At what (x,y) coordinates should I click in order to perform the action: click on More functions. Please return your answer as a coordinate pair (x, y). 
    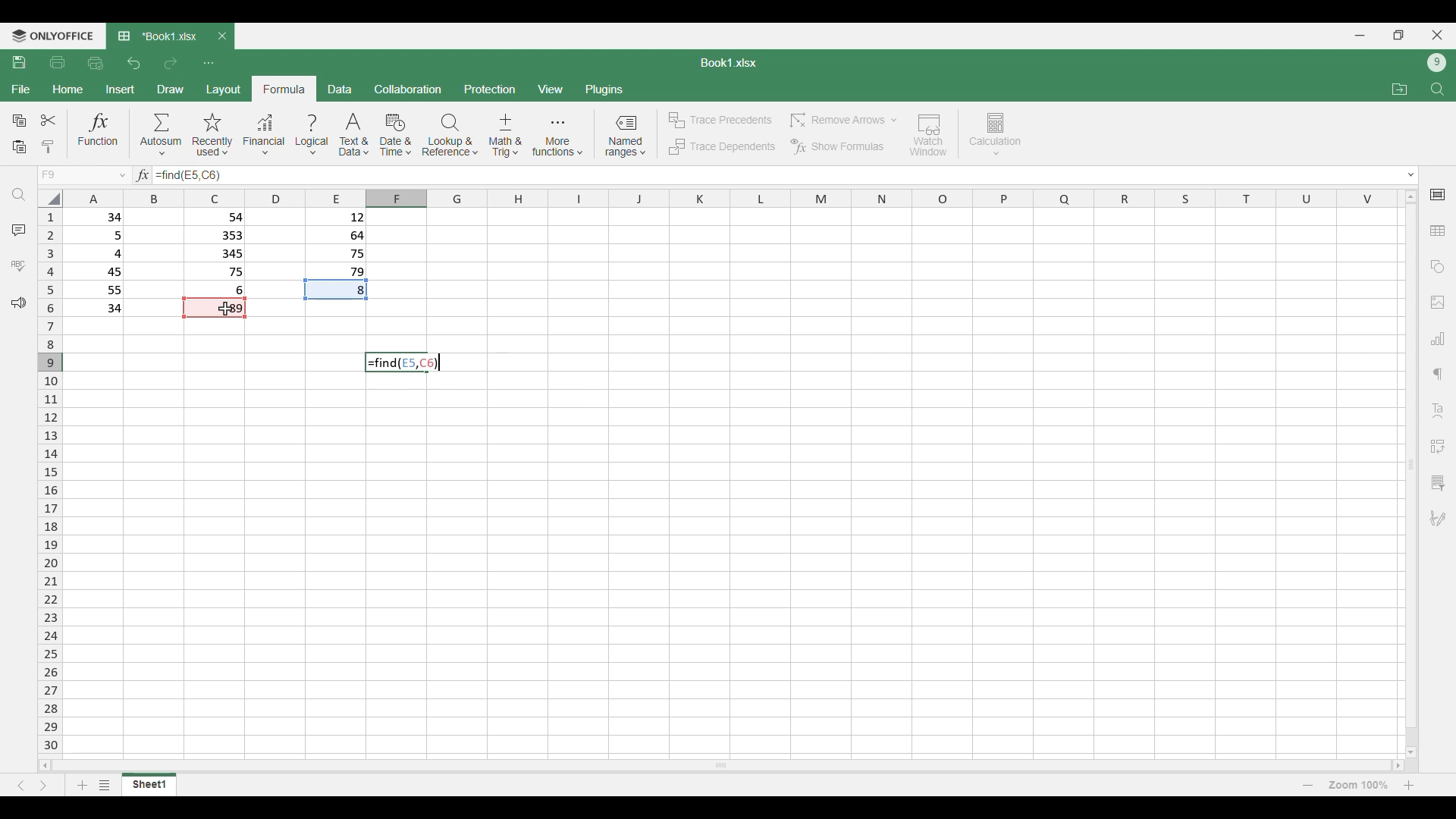
    Looking at the image, I should click on (557, 136).